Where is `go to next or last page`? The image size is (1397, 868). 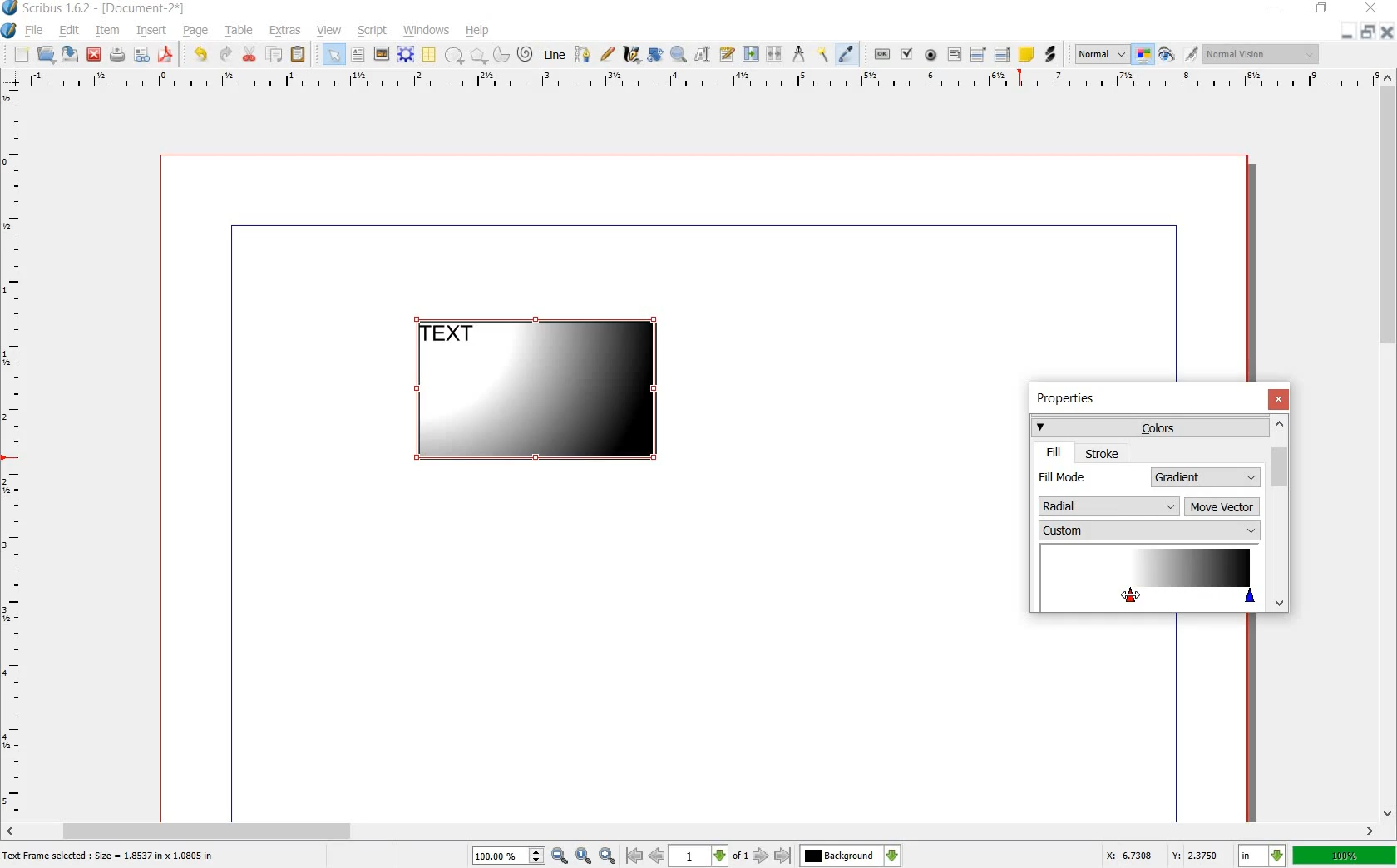
go to next or last page is located at coordinates (771, 856).